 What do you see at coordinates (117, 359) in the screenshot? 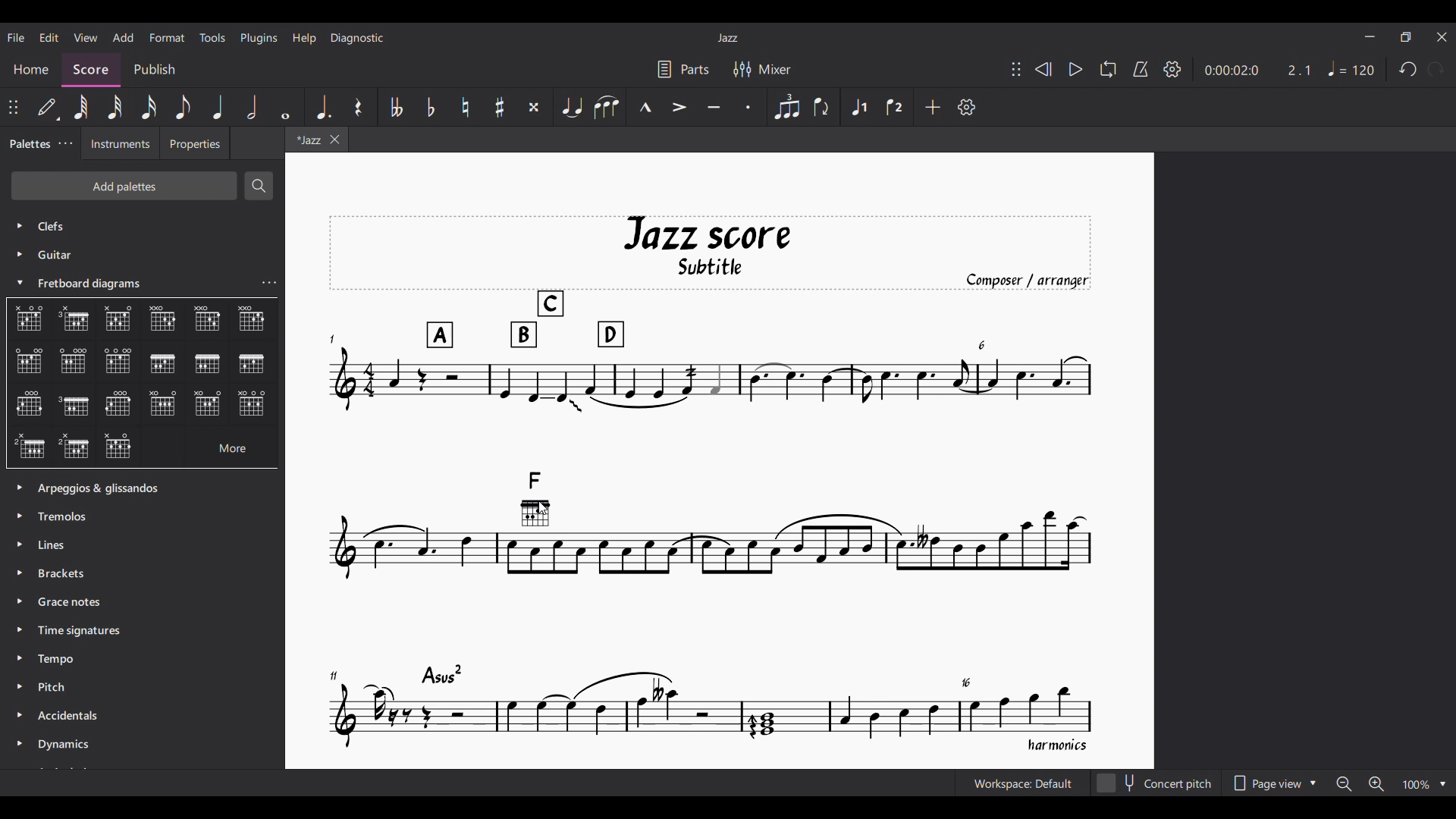
I see `Chart 8` at bounding box center [117, 359].